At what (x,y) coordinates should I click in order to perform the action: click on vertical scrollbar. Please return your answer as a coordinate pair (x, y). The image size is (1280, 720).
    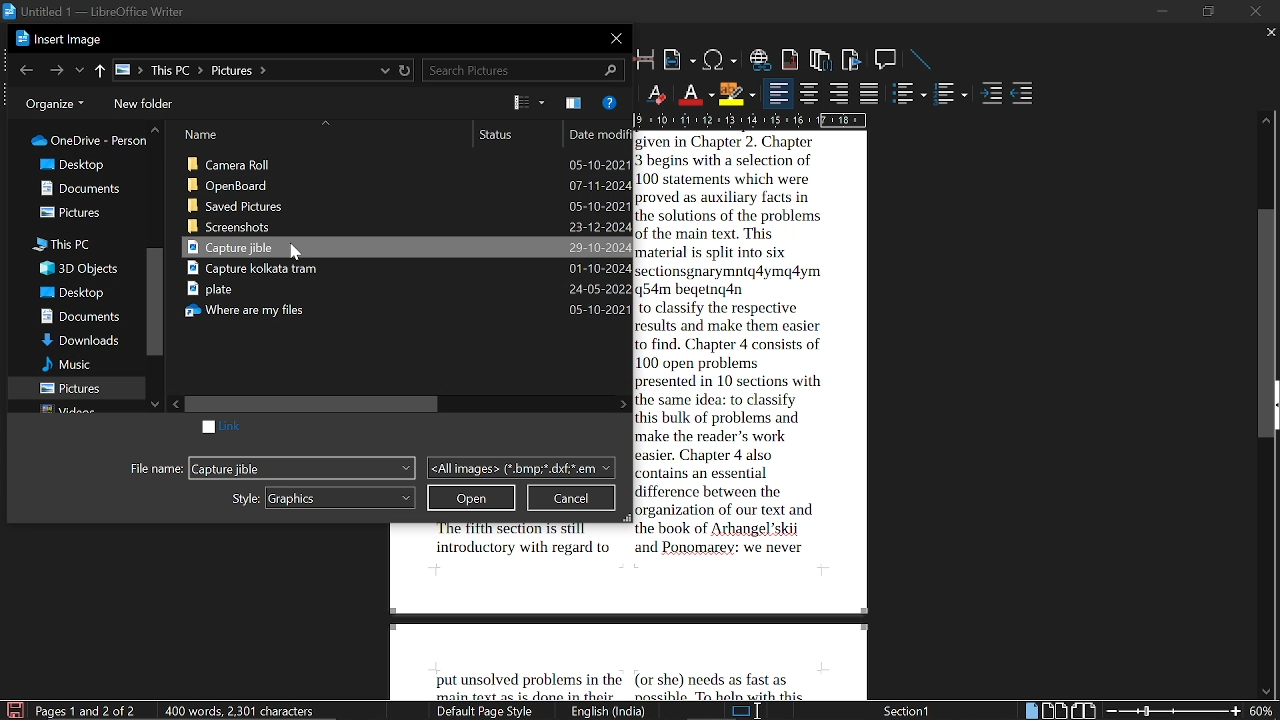
    Looking at the image, I should click on (1269, 327).